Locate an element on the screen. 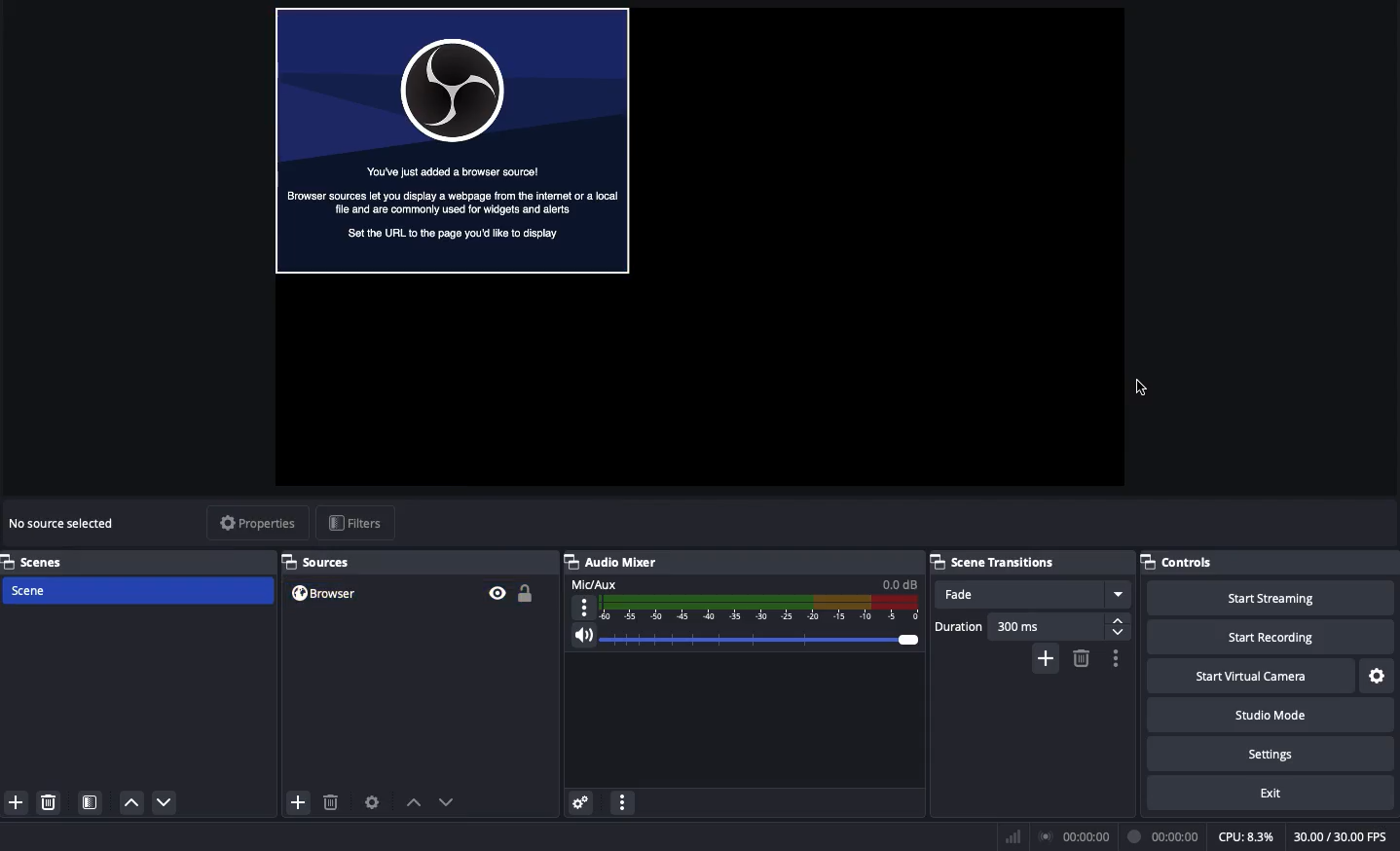 The height and width of the screenshot is (851, 1400). No source selected is located at coordinates (62, 524).